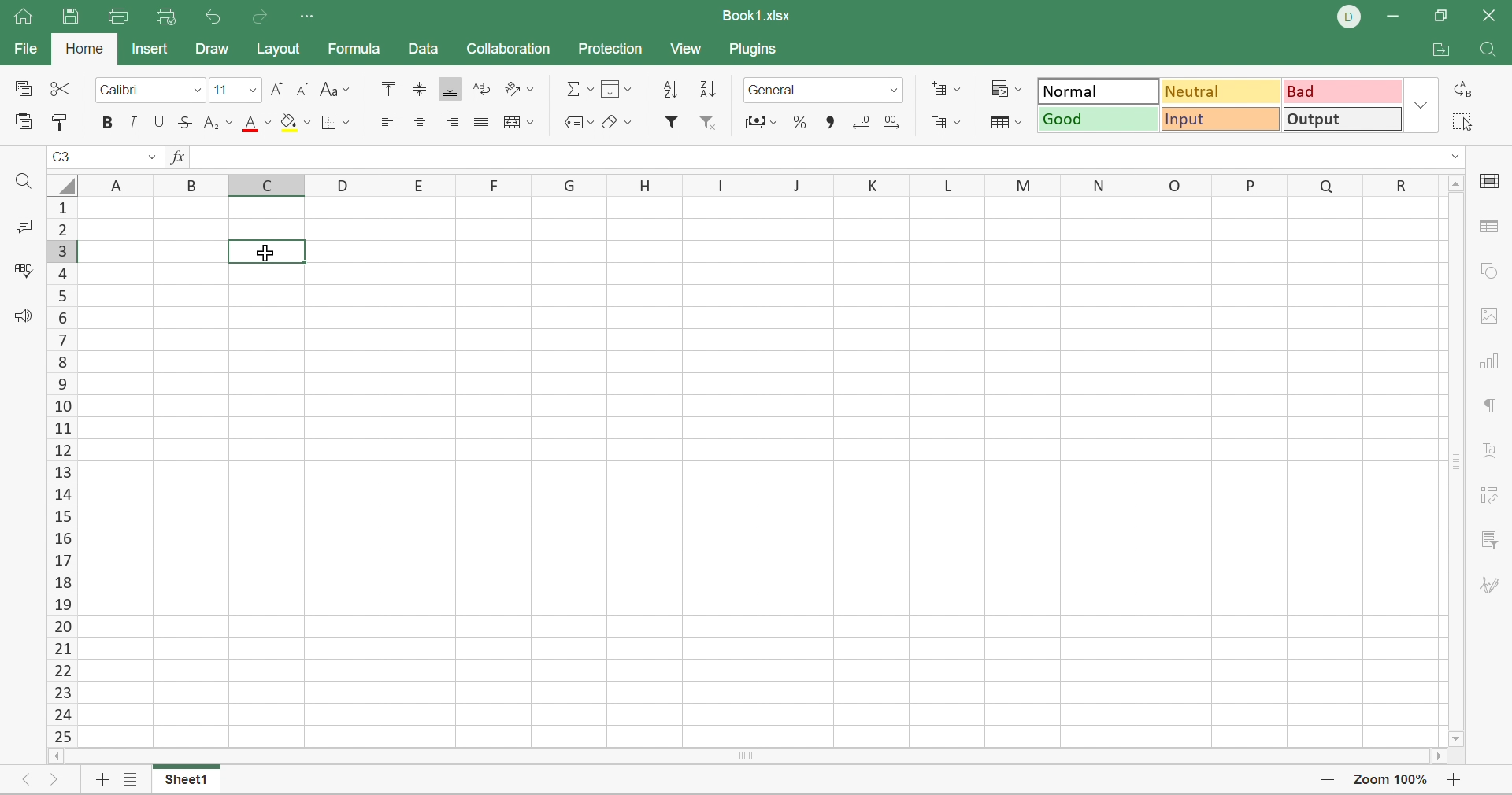 The width and height of the screenshot is (1512, 795). I want to click on Good, so click(1095, 120).